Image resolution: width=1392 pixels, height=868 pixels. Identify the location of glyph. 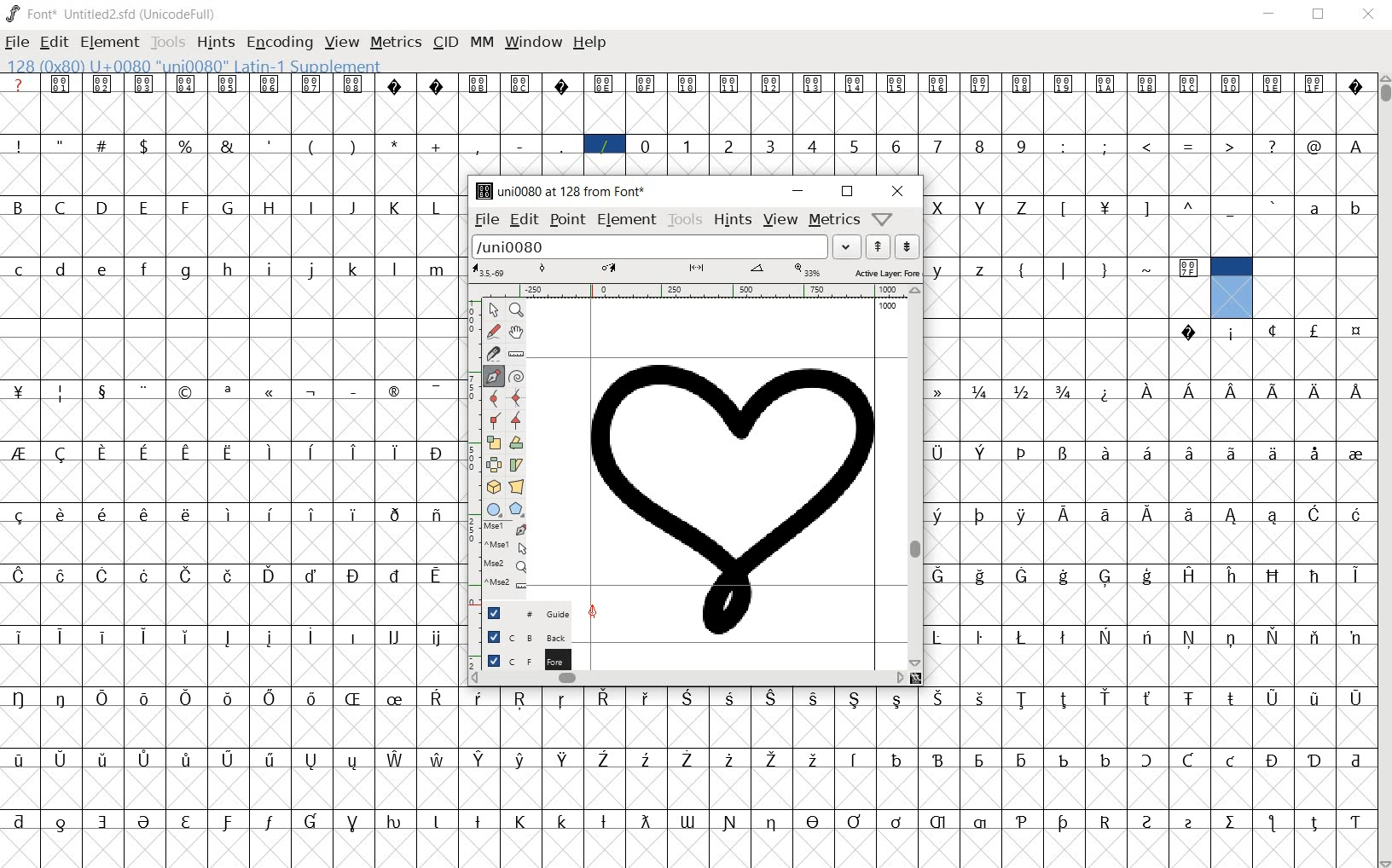
(728, 760).